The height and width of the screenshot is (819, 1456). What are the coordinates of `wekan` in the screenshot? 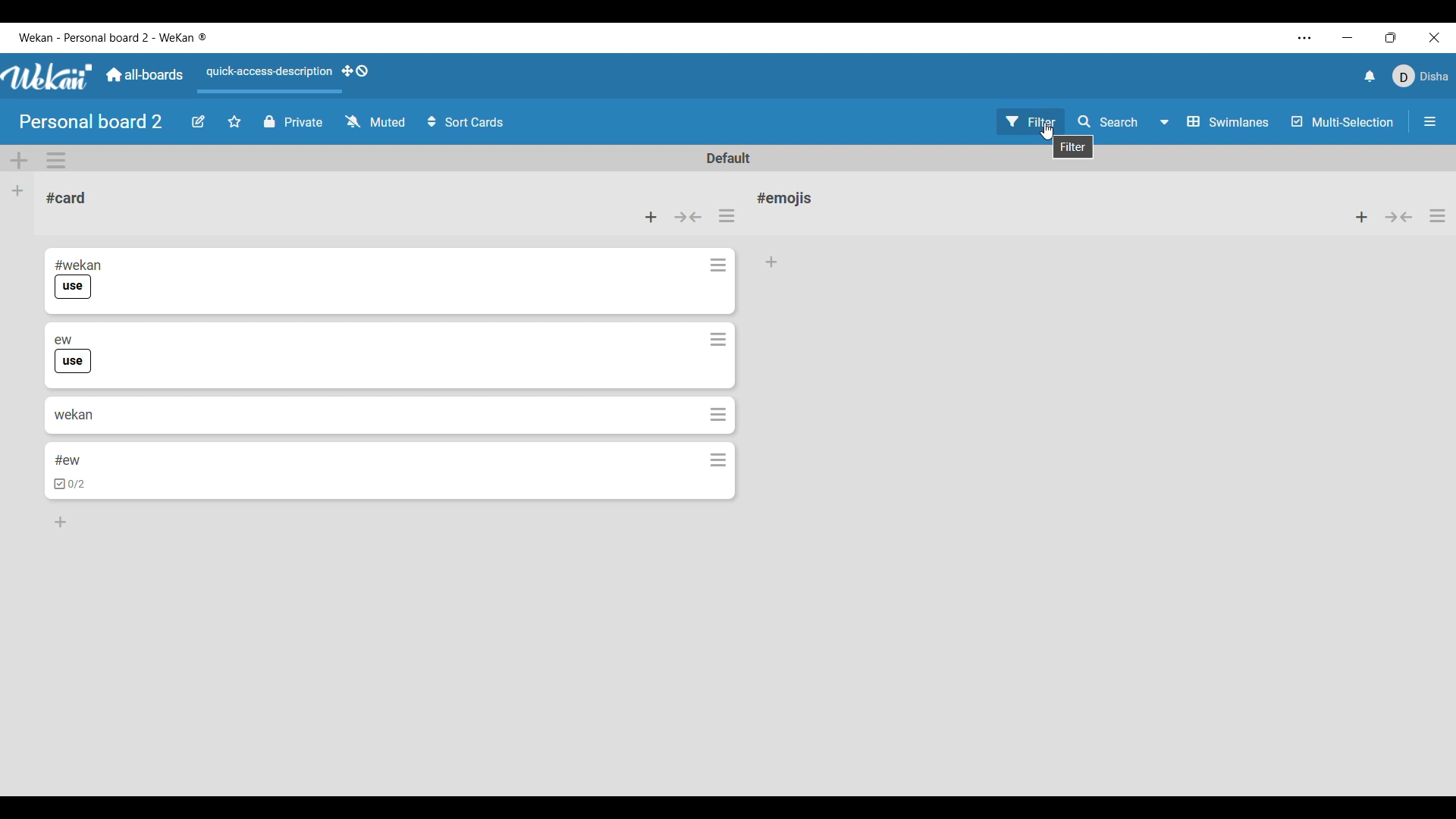 It's located at (73, 413).